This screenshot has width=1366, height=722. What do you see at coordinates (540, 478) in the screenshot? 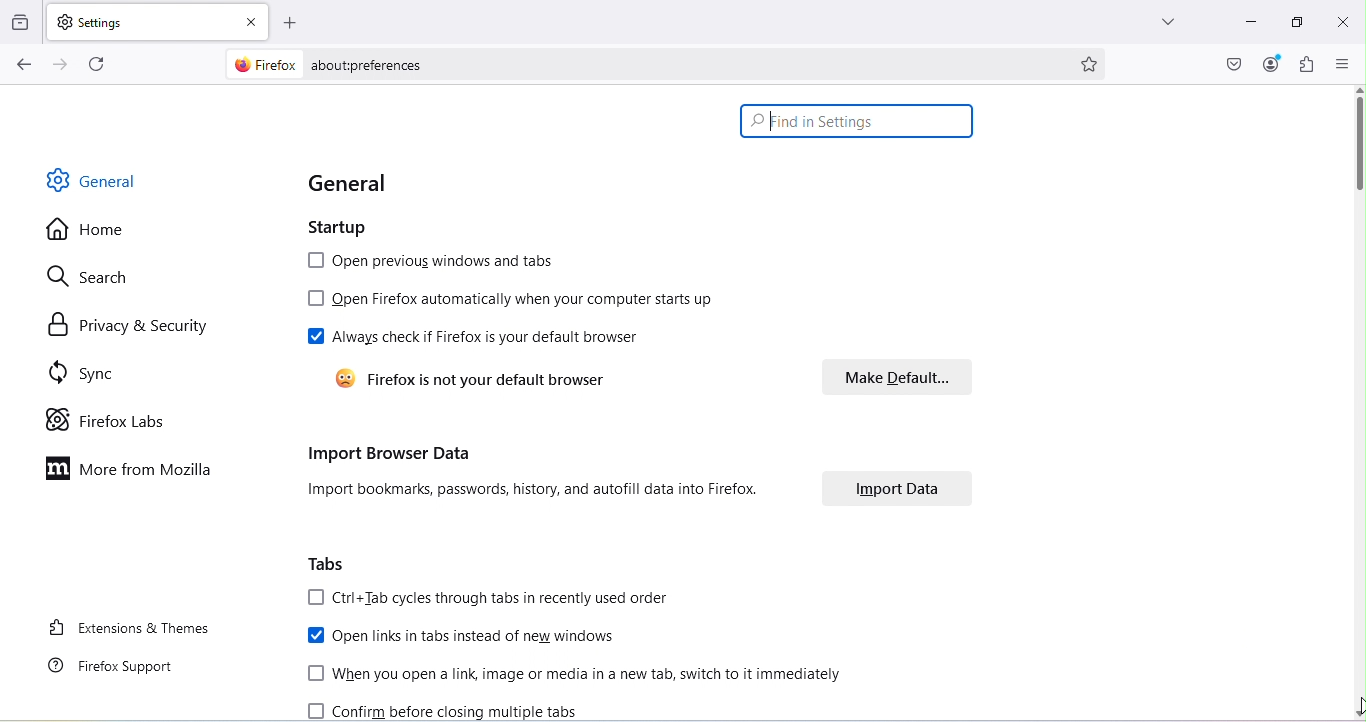
I see `Import browser data` at bounding box center [540, 478].